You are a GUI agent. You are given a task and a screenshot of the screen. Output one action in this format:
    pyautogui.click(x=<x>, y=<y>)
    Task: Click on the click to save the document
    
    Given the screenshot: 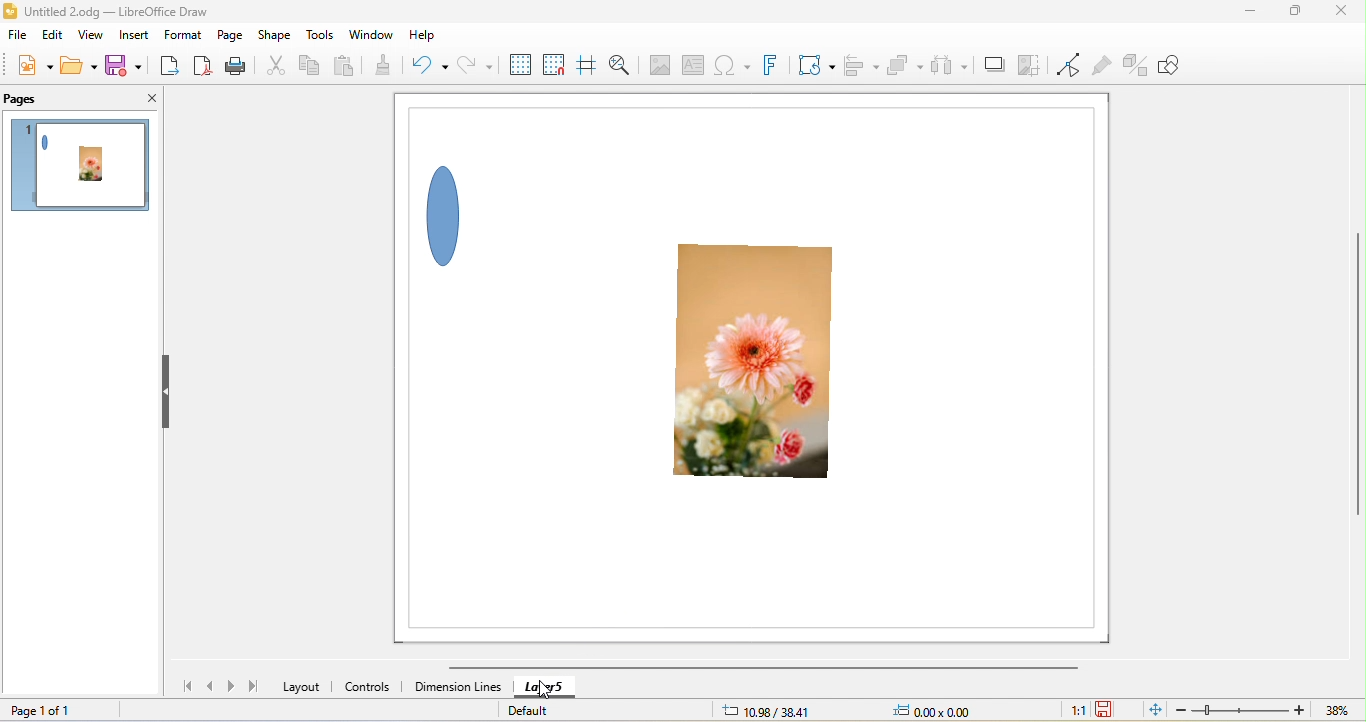 What is the action you would take?
    pyautogui.click(x=1106, y=710)
    